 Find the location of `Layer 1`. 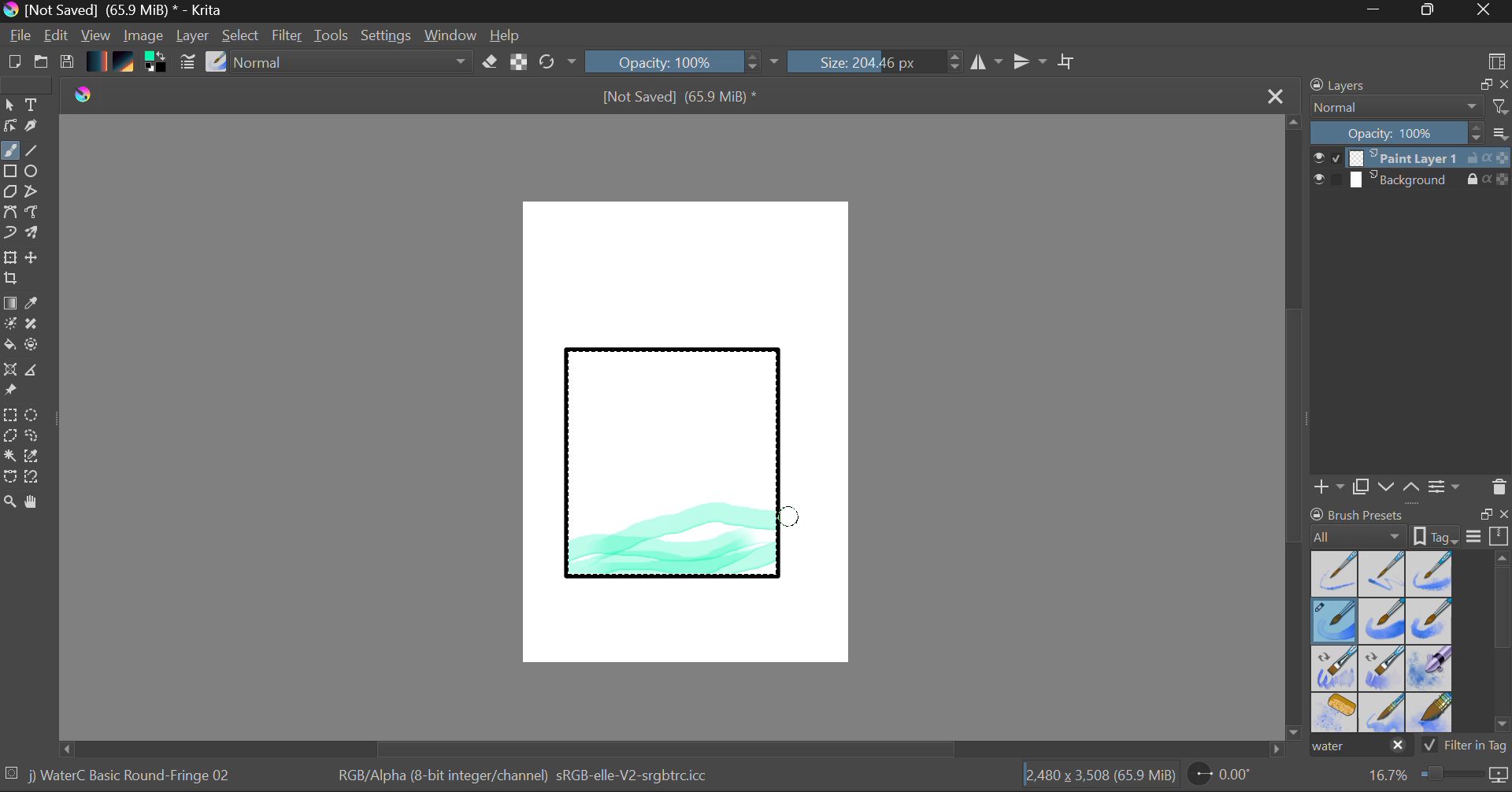

Layer 1 is located at coordinates (1412, 160).